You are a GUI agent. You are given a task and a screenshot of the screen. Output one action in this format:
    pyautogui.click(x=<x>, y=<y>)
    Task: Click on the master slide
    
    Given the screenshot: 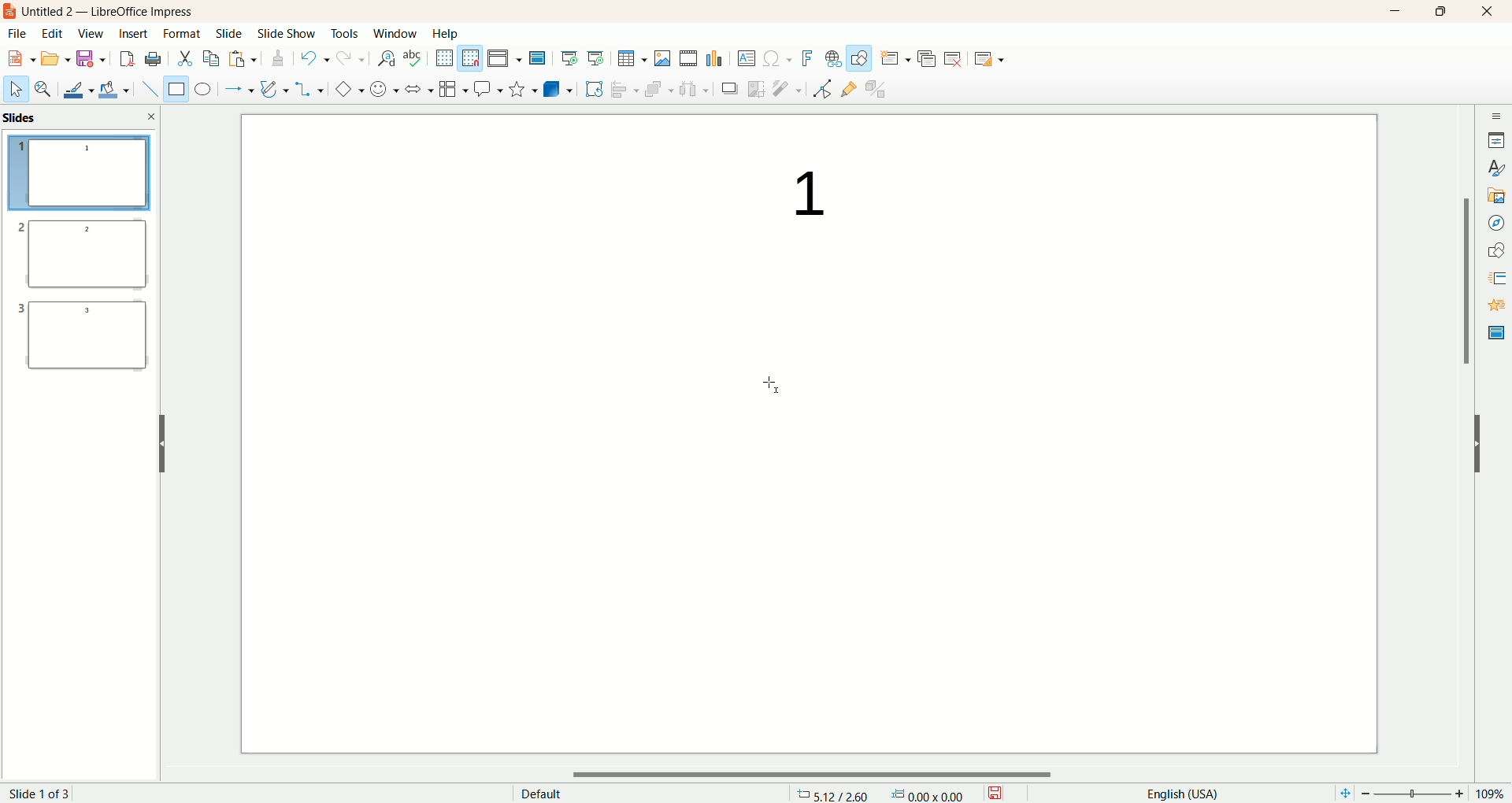 What is the action you would take?
    pyautogui.click(x=1494, y=333)
    